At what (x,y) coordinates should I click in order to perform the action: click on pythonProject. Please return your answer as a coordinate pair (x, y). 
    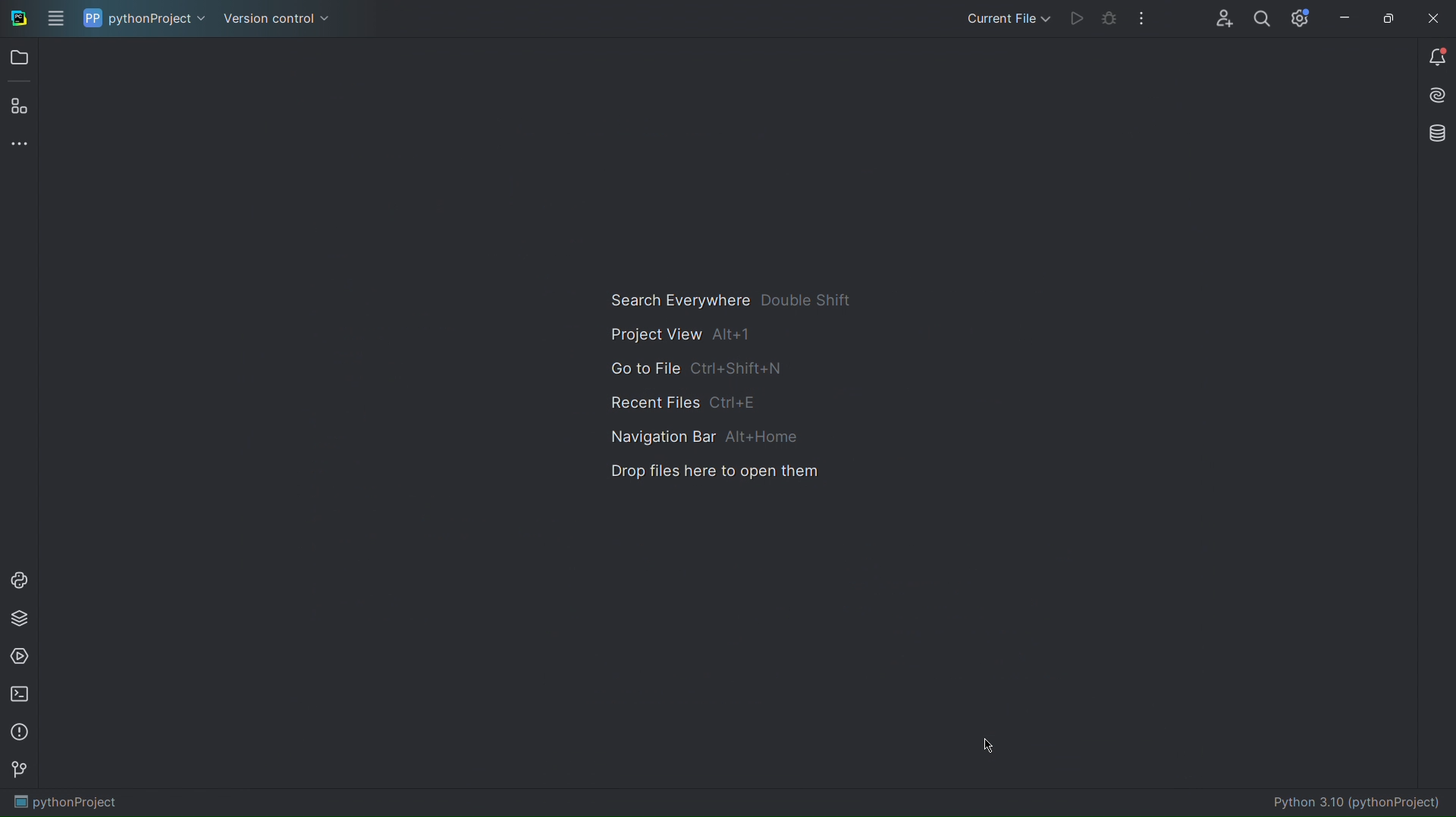
    Looking at the image, I should click on (68, 803).